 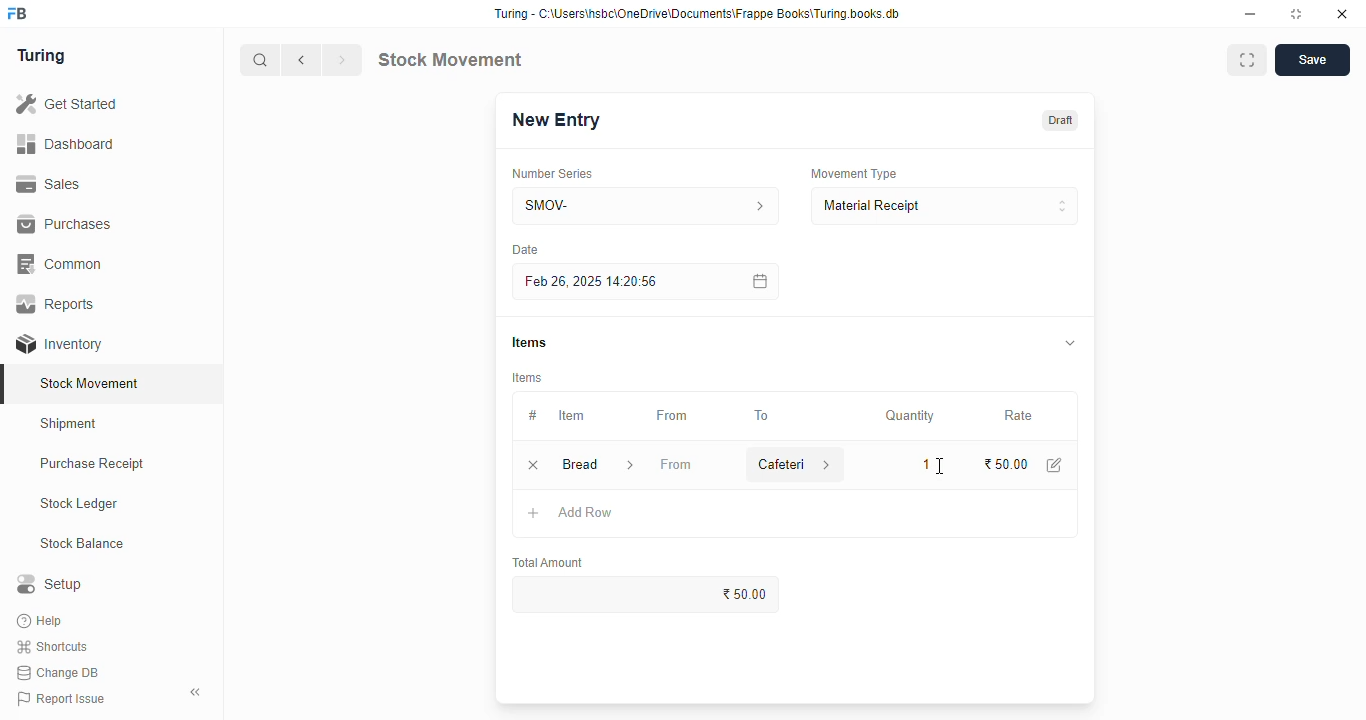 I want to click on change DB, so click(x=58, y=673).